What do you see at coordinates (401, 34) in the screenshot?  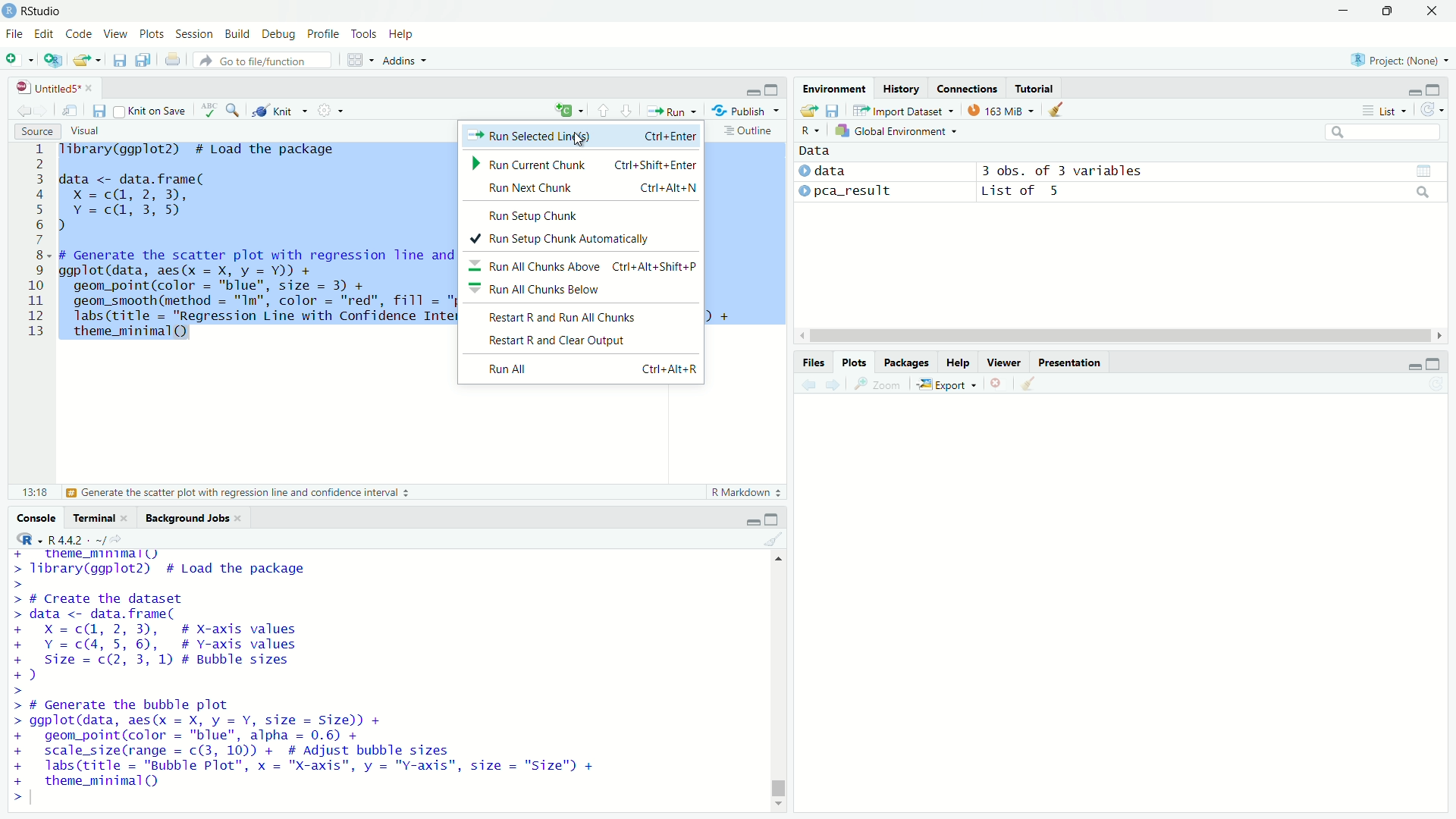 I see `Help` at bounding box center [401, 34].